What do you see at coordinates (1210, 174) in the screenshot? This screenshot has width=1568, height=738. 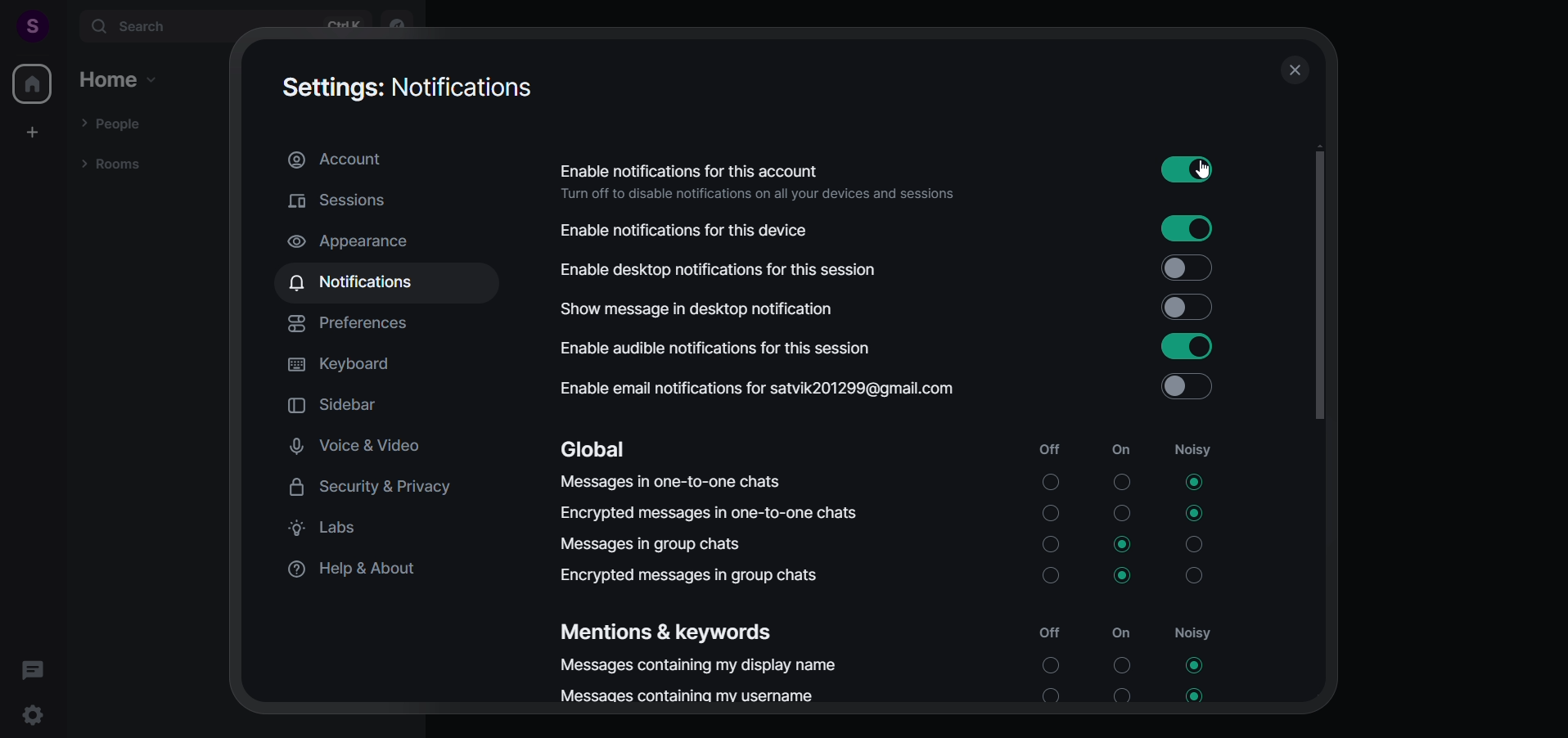 I see `Cursor` at bounding box center [1210, 174].